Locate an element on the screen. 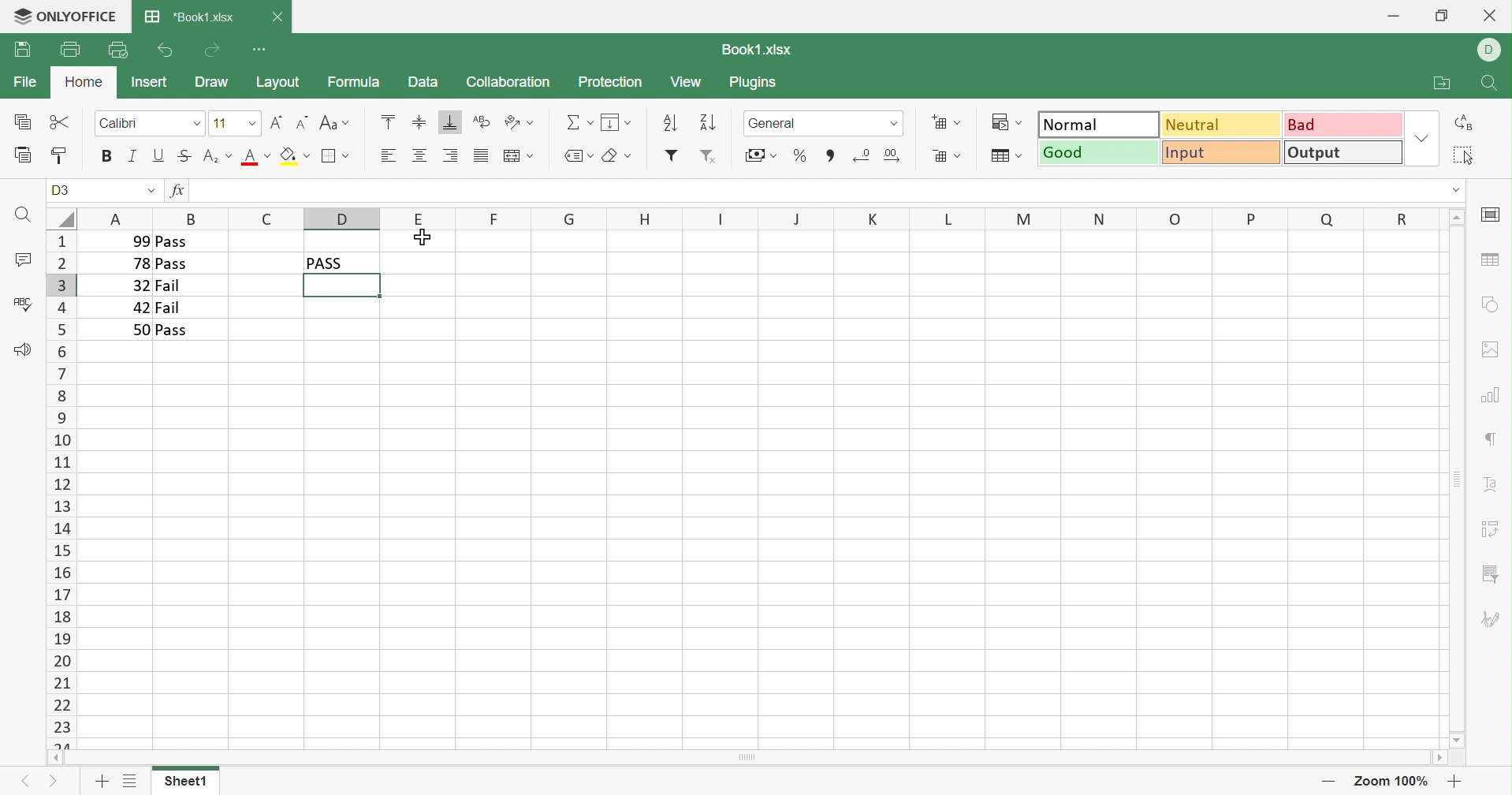 The height and width of the screenshot is (795, 1512). Decrease decimal is located at coordinates (861, 155).